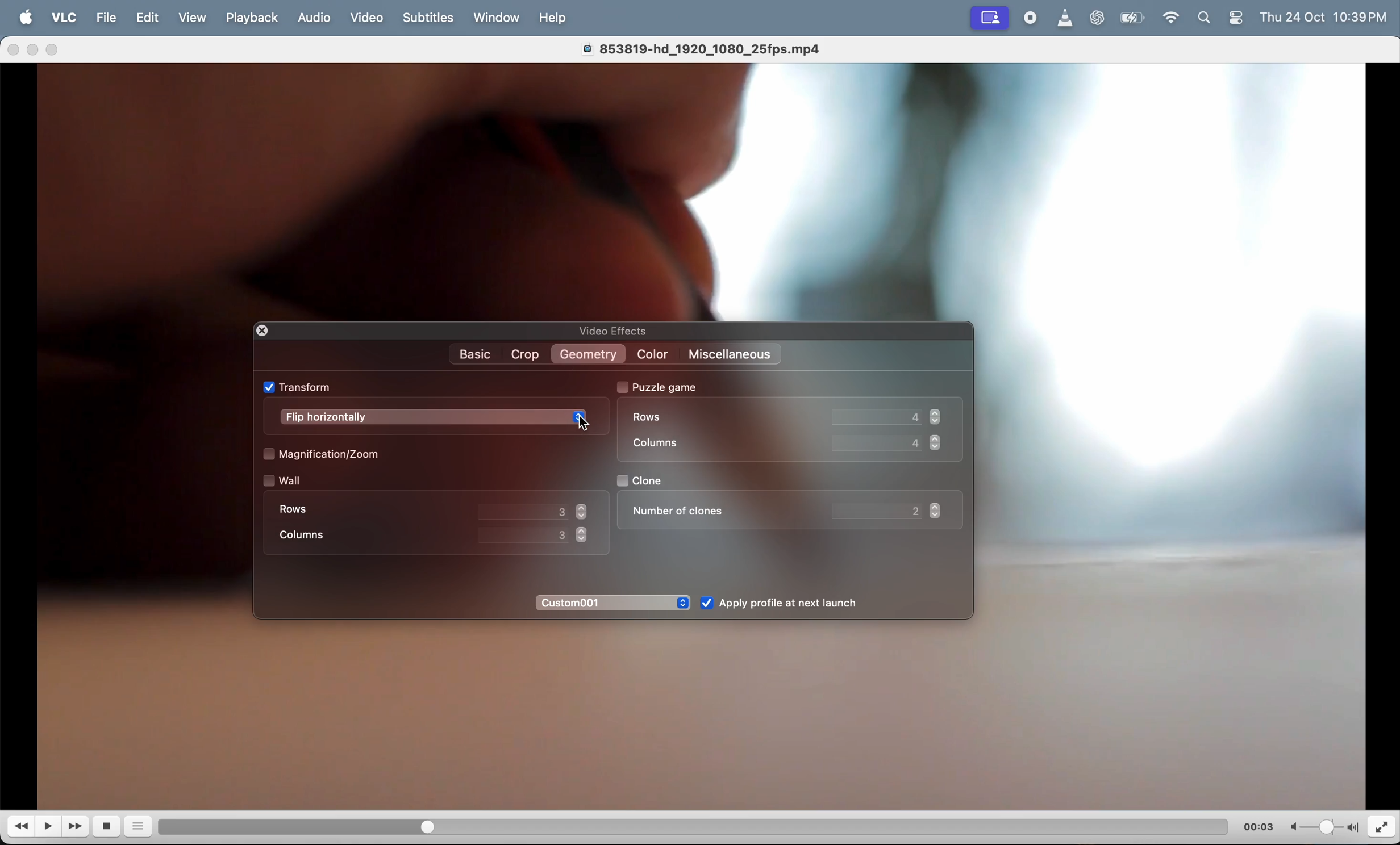  What do you see at coordinates (706, 603) in the screenshot?
I see `check box` at bounding box center [706, 603].